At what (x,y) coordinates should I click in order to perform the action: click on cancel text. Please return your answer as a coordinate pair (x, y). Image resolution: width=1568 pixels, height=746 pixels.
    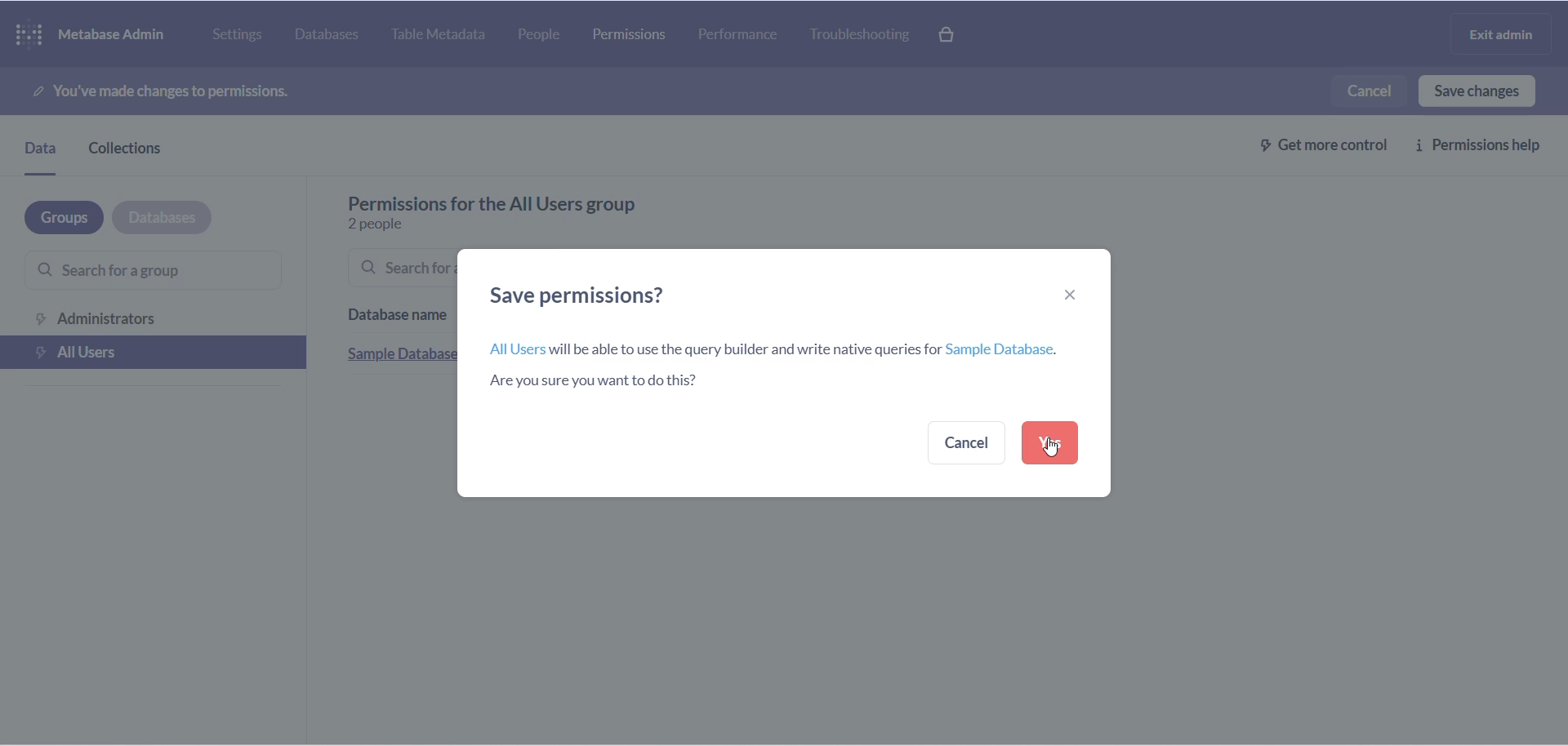
    Looking at the image, I should click on (1365, 91).